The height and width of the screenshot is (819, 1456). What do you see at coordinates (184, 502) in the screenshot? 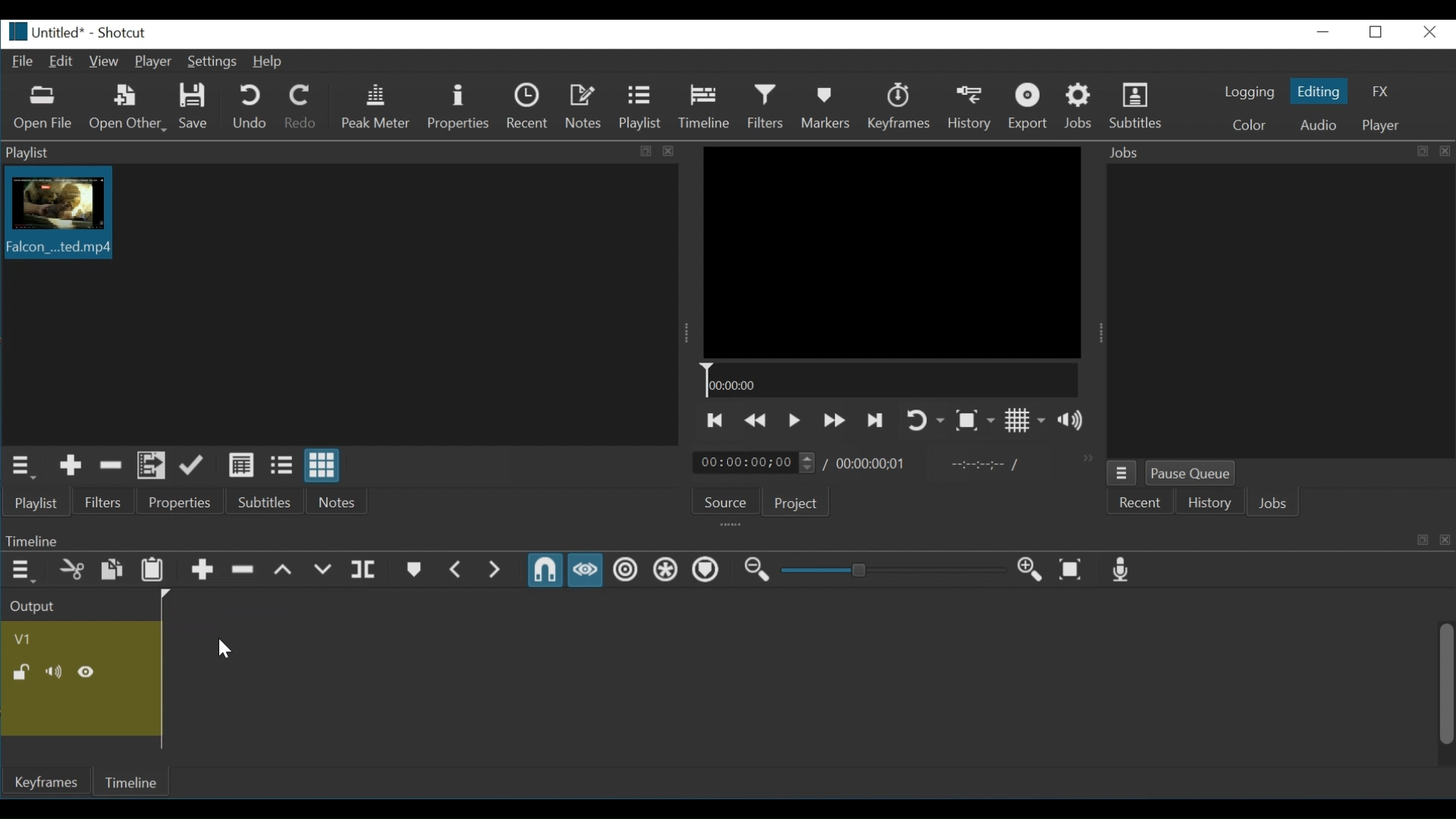
I see `Properties` at bounding box center [184, 502].